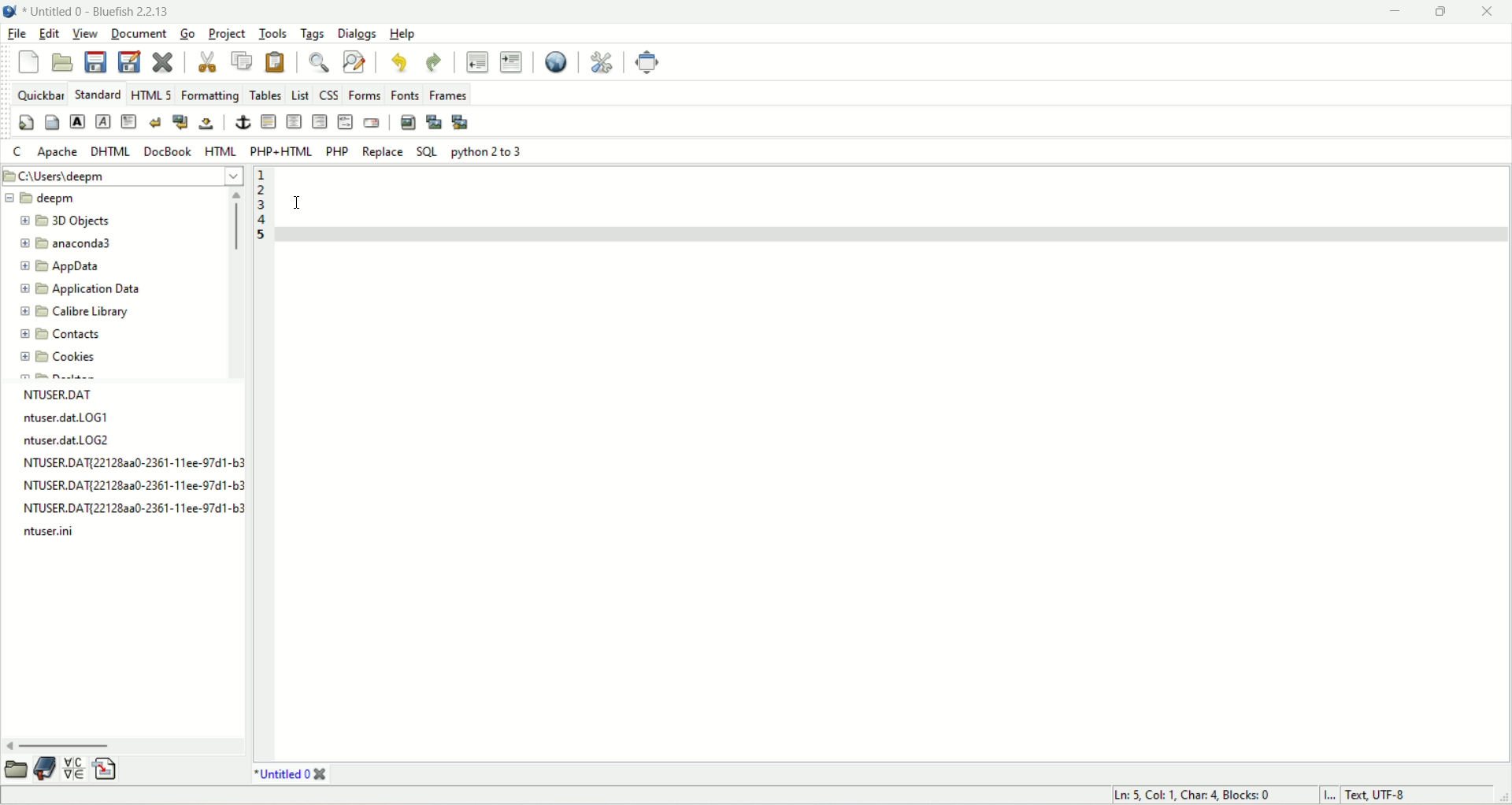  I want to click on calibre, so click(71, 313).